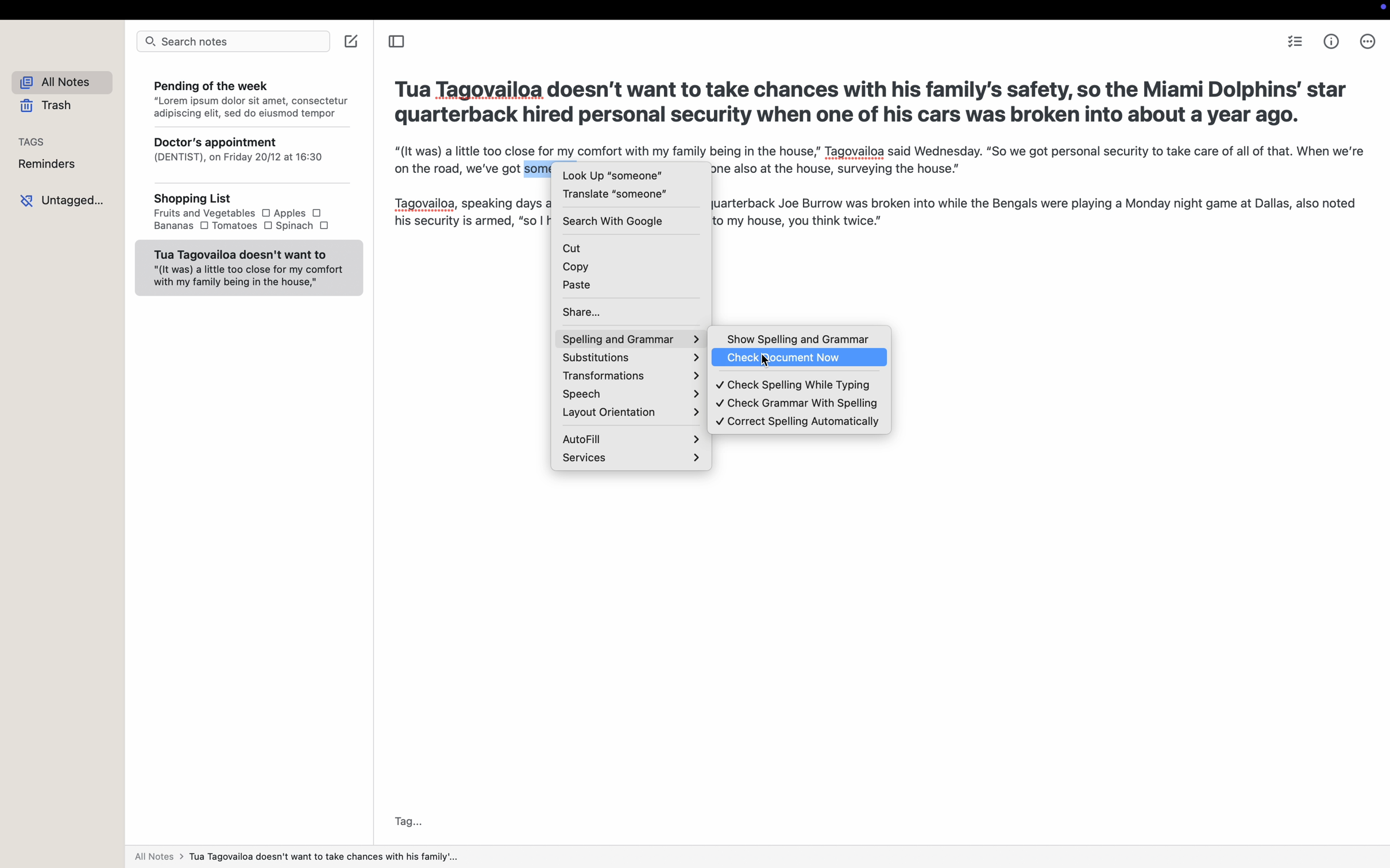 The width and height of the screenshot is (1390, 868). What do you see at coordinates (231, 43) in the screenshot?
I see `search bar` at bounding box center [231, 43].